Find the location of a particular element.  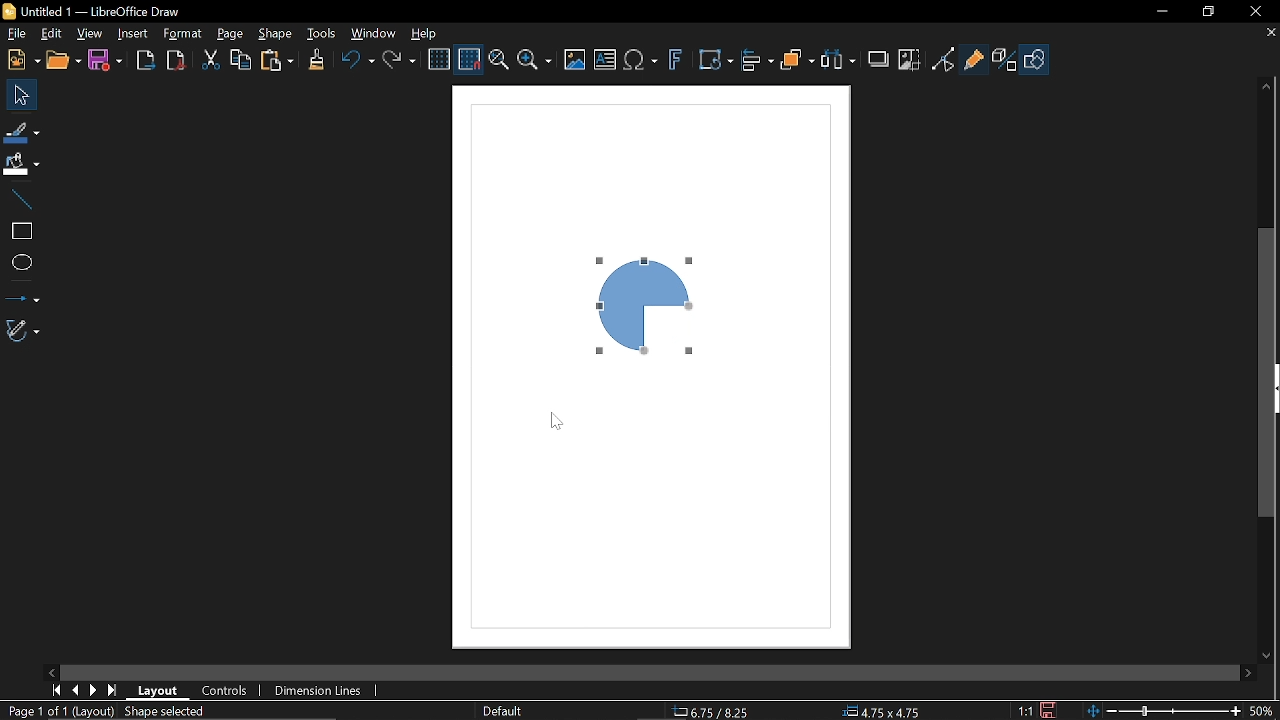

Display to grid is located at coordinates (470, 58).